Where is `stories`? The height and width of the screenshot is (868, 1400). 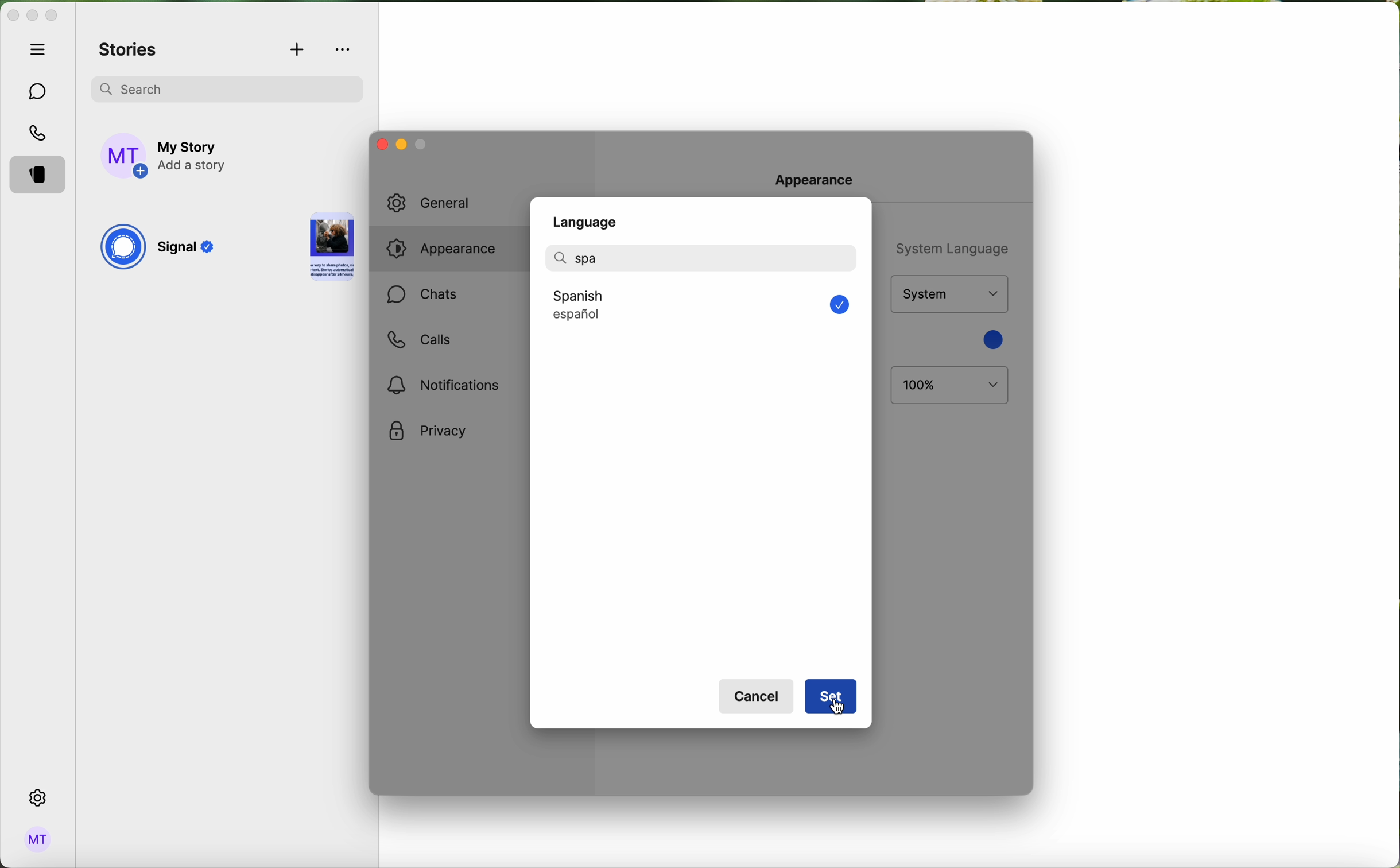
stories is located at coordinates (129, 51).